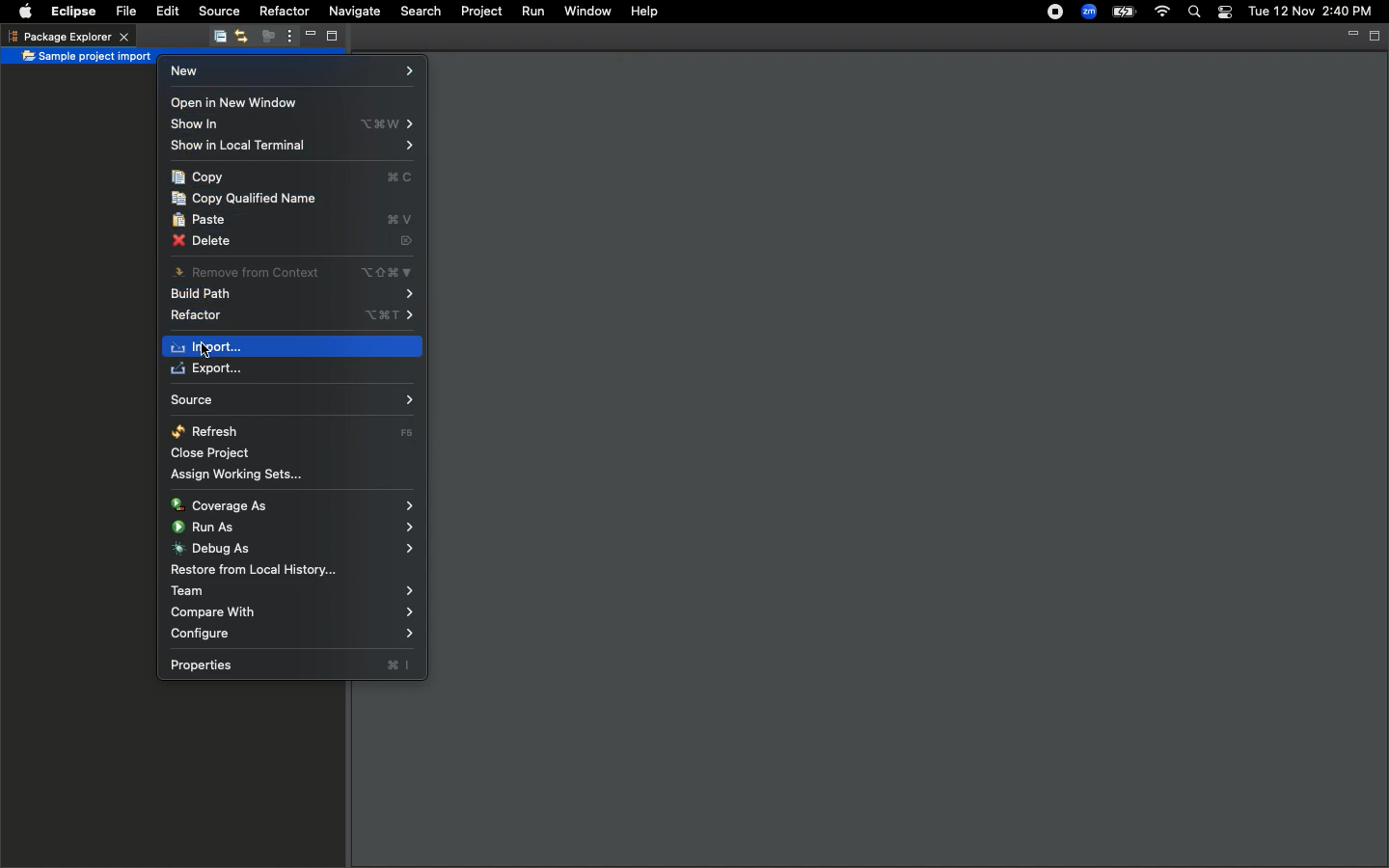  What do you see at coordinates (233, 103) in the screenshot?
I see `Open in new window` at bounding box center [233, 103].